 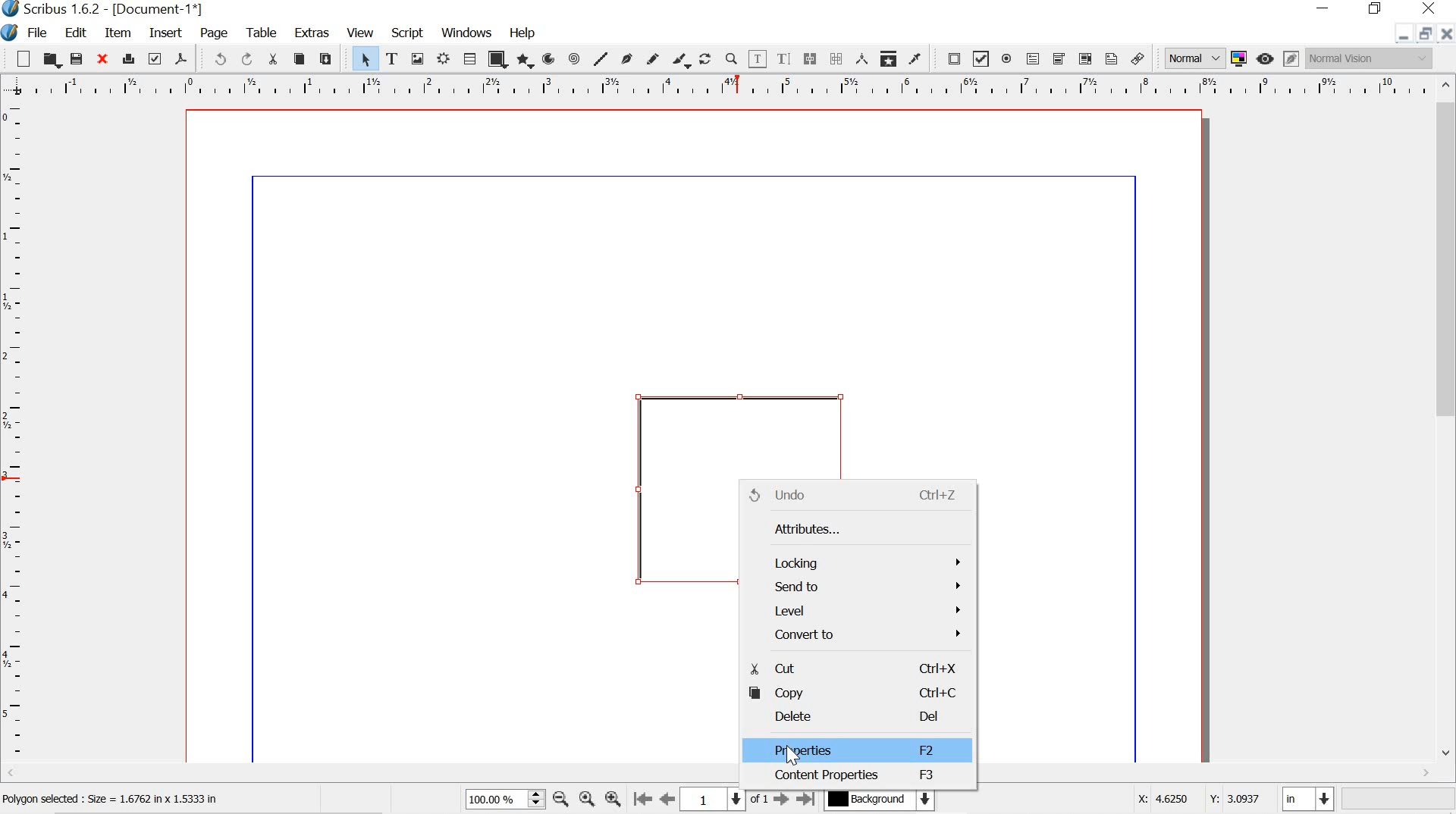 I want to click on rotate item, so click(x=705, y=58).